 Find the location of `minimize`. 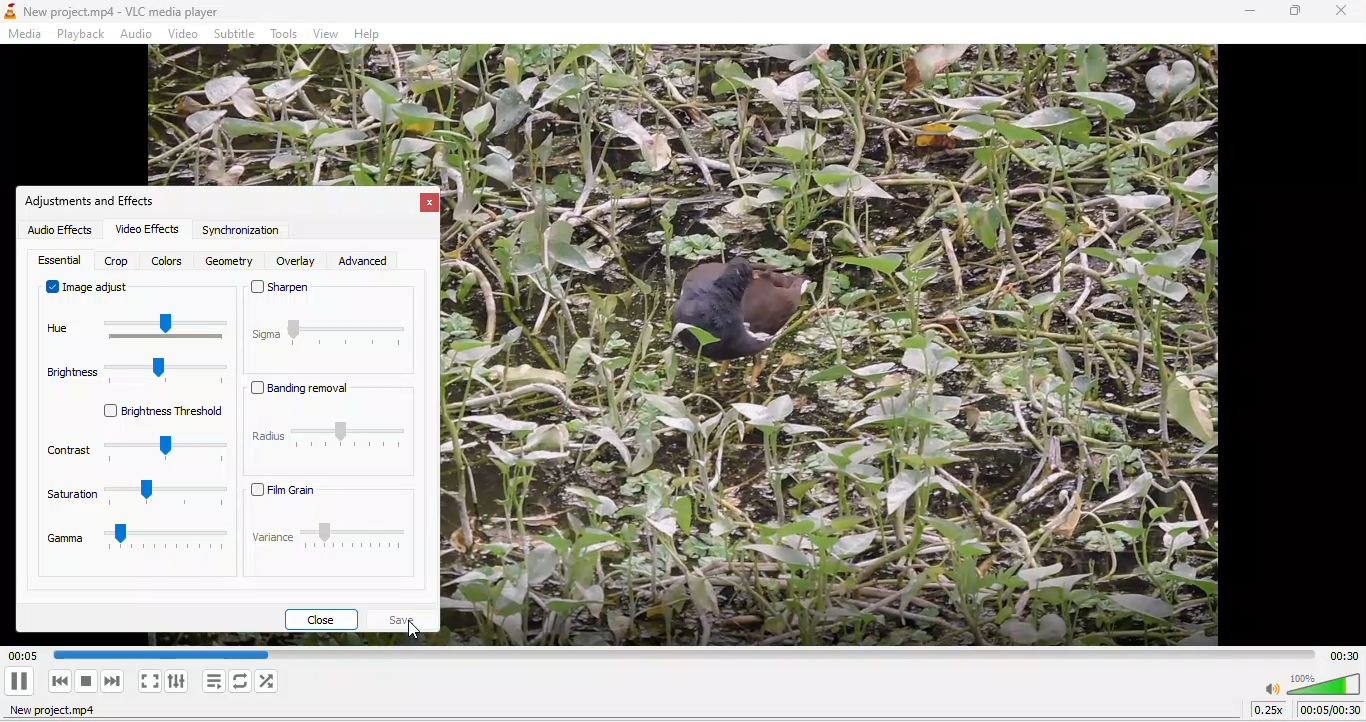

minimize is located at coordinates (1250, 12).